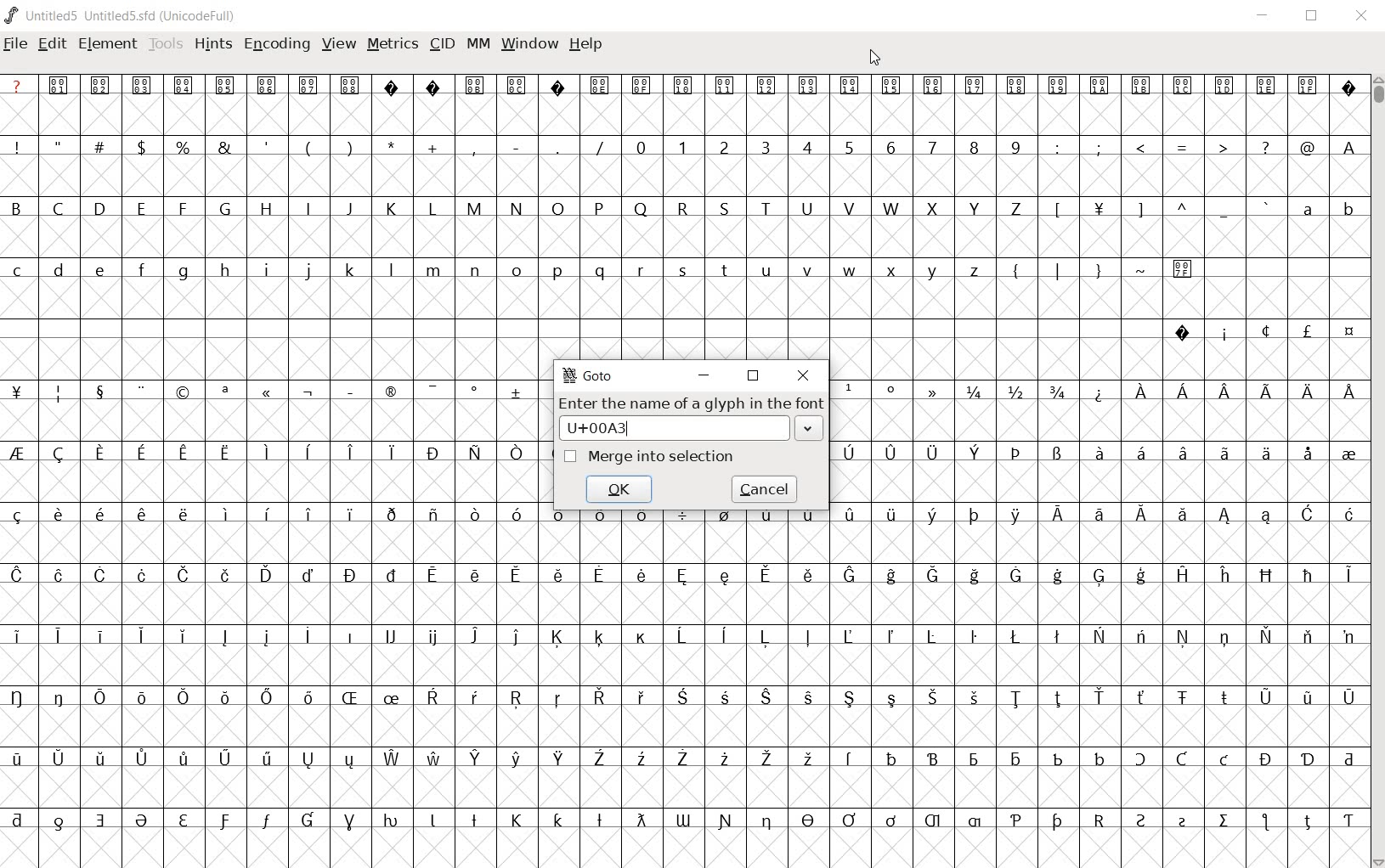 The image size is (1385, 868). I want to click on Symbol, so click(1017, 698).